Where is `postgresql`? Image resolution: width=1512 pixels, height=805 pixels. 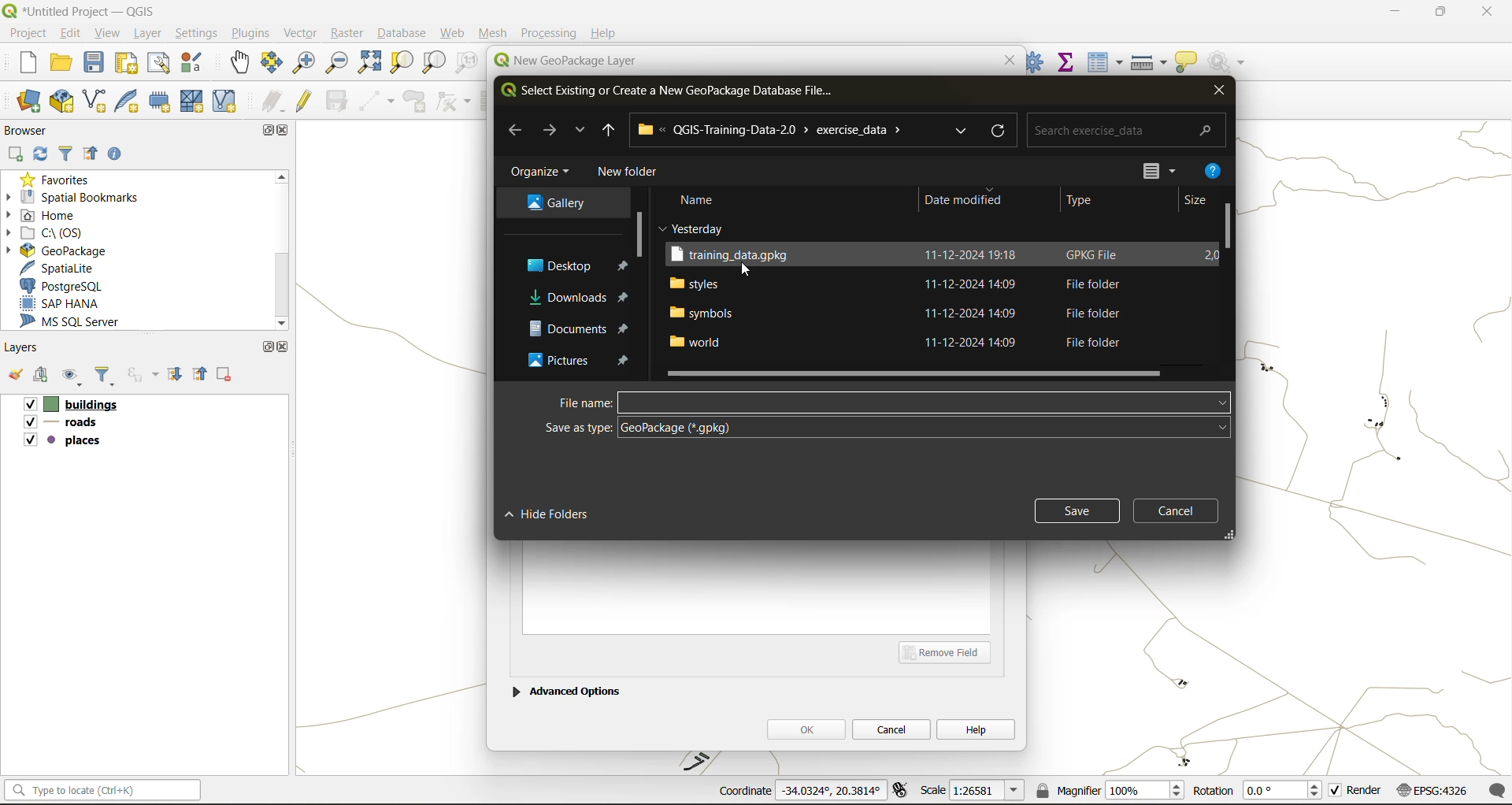 postgresql is located at coordinates (73, 286).